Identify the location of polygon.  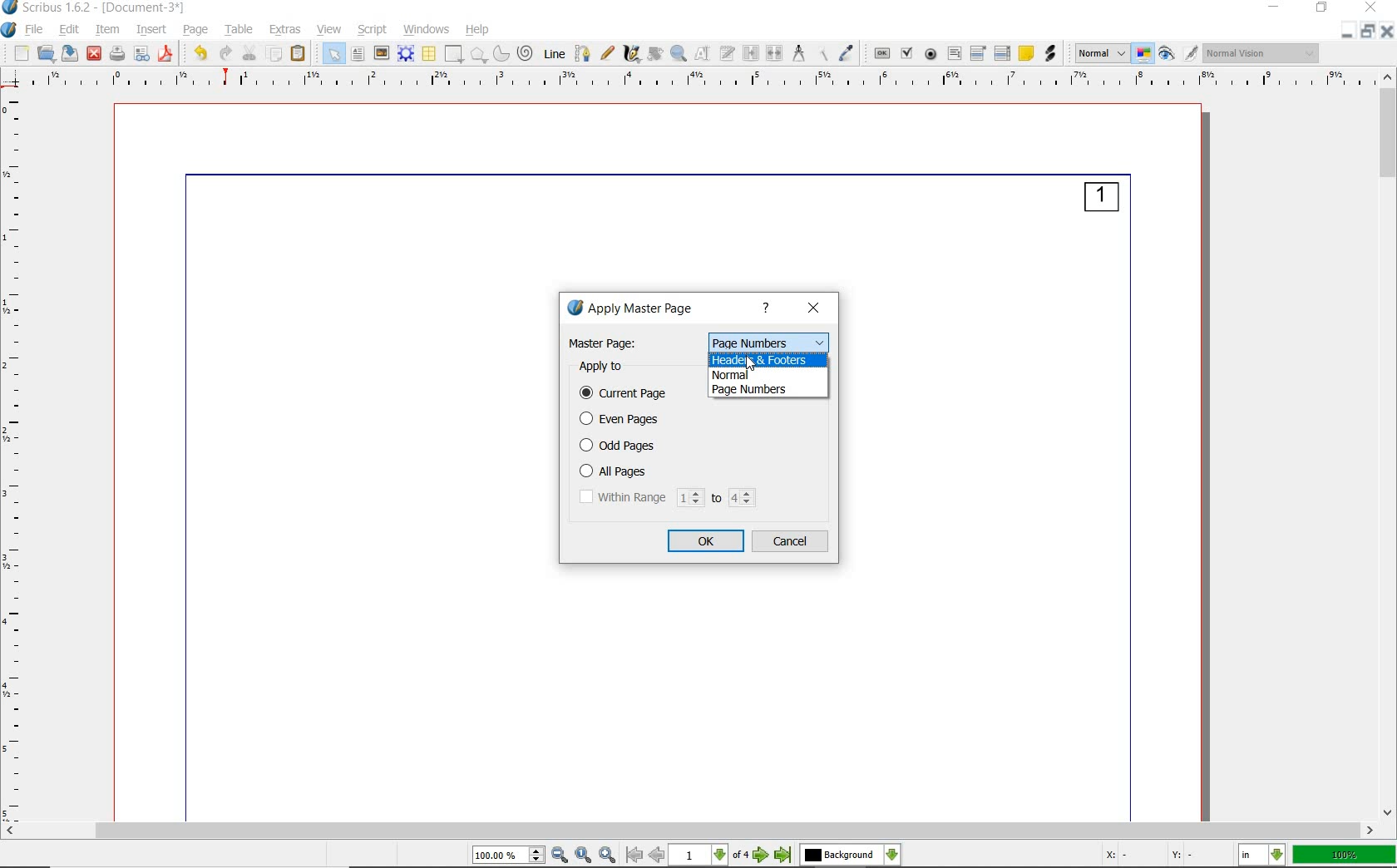
(481, 54).